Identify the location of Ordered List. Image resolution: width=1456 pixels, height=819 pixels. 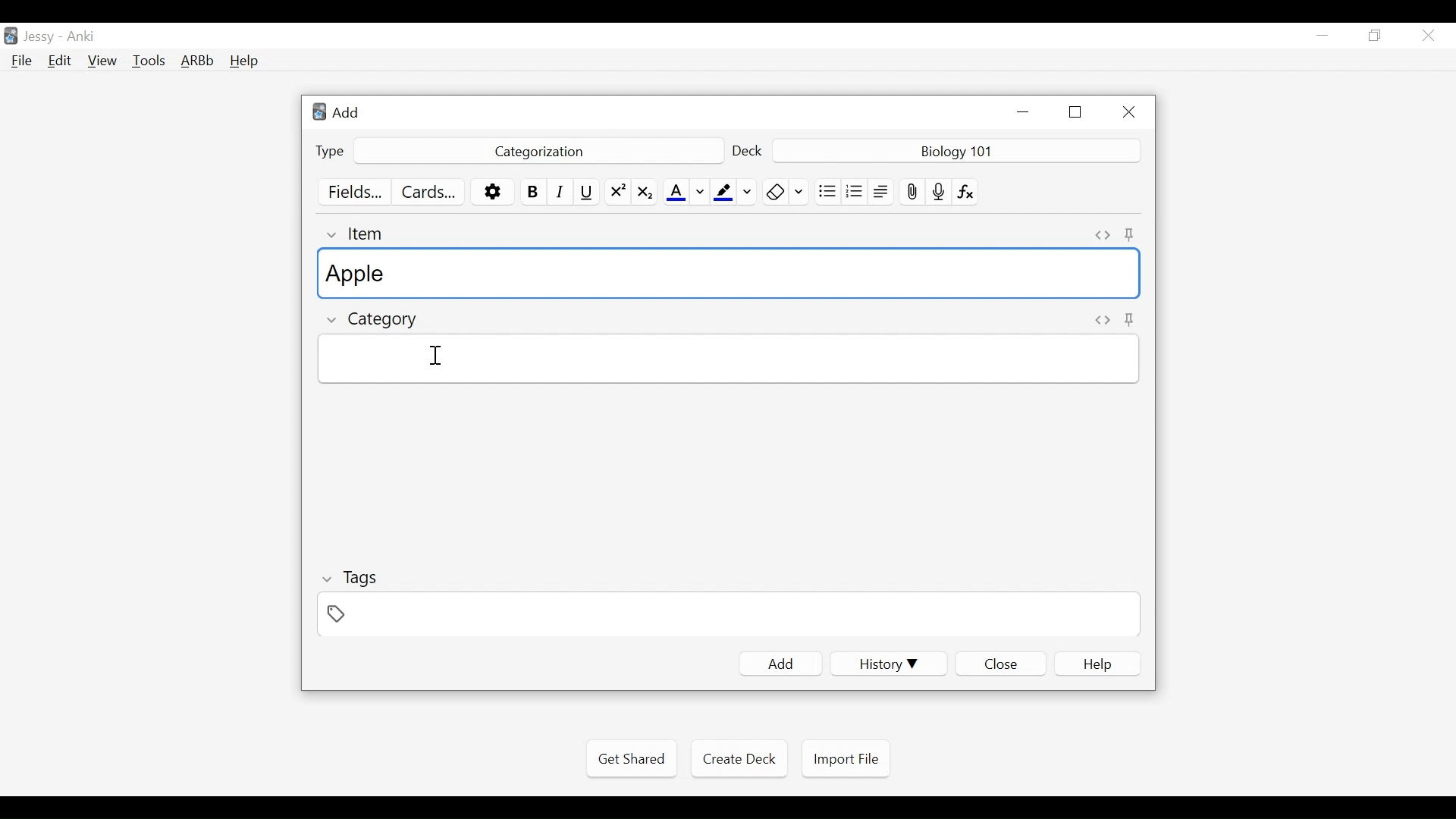
(855, 193).